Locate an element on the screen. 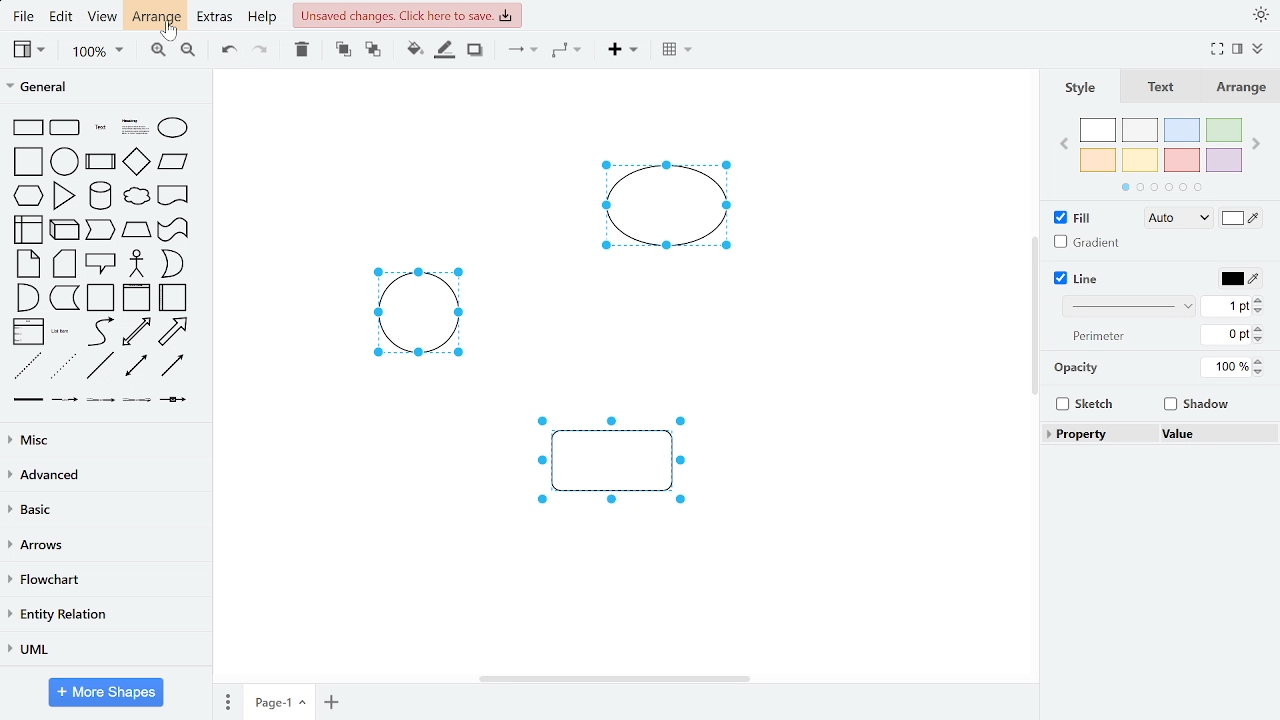 The width and height of the screenshot is (1280, 720). insert is located at coordinates (621, 52).